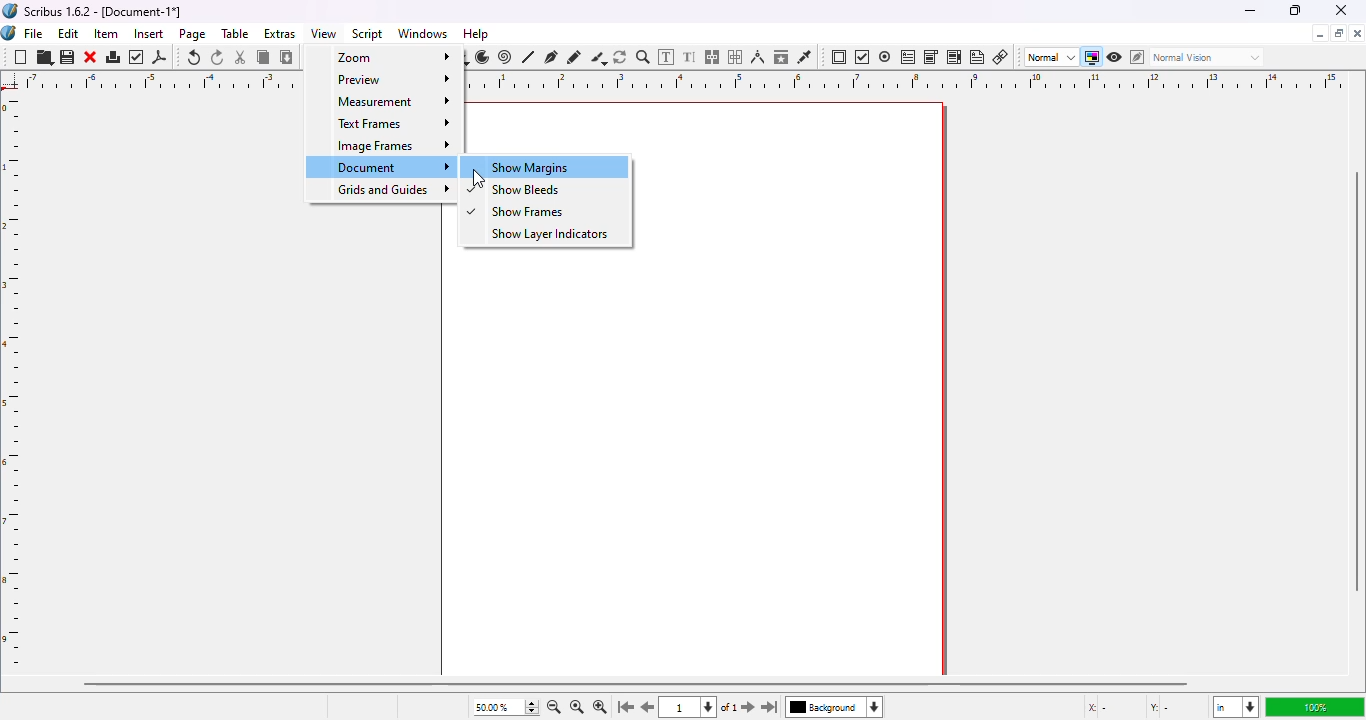 This screenshot has height=720, width=1366. I want to click on maximize, so click(1294, 10).